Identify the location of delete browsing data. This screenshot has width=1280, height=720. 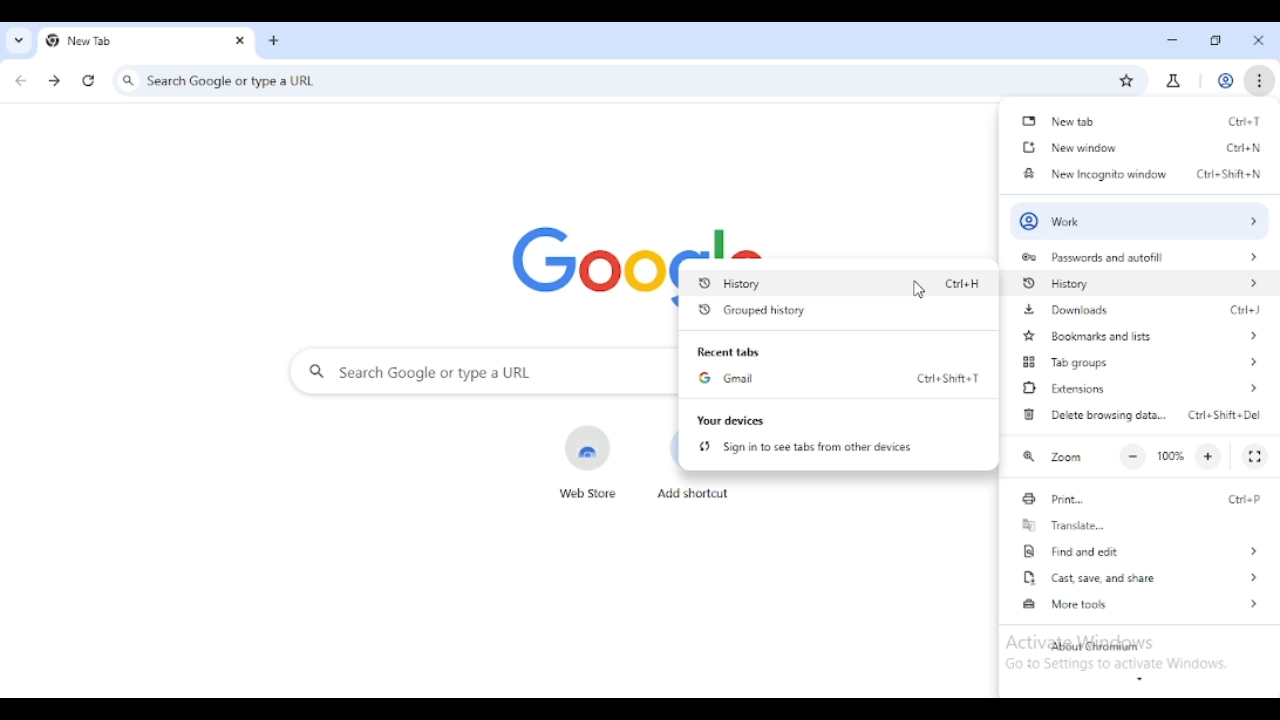
(1092, 413).